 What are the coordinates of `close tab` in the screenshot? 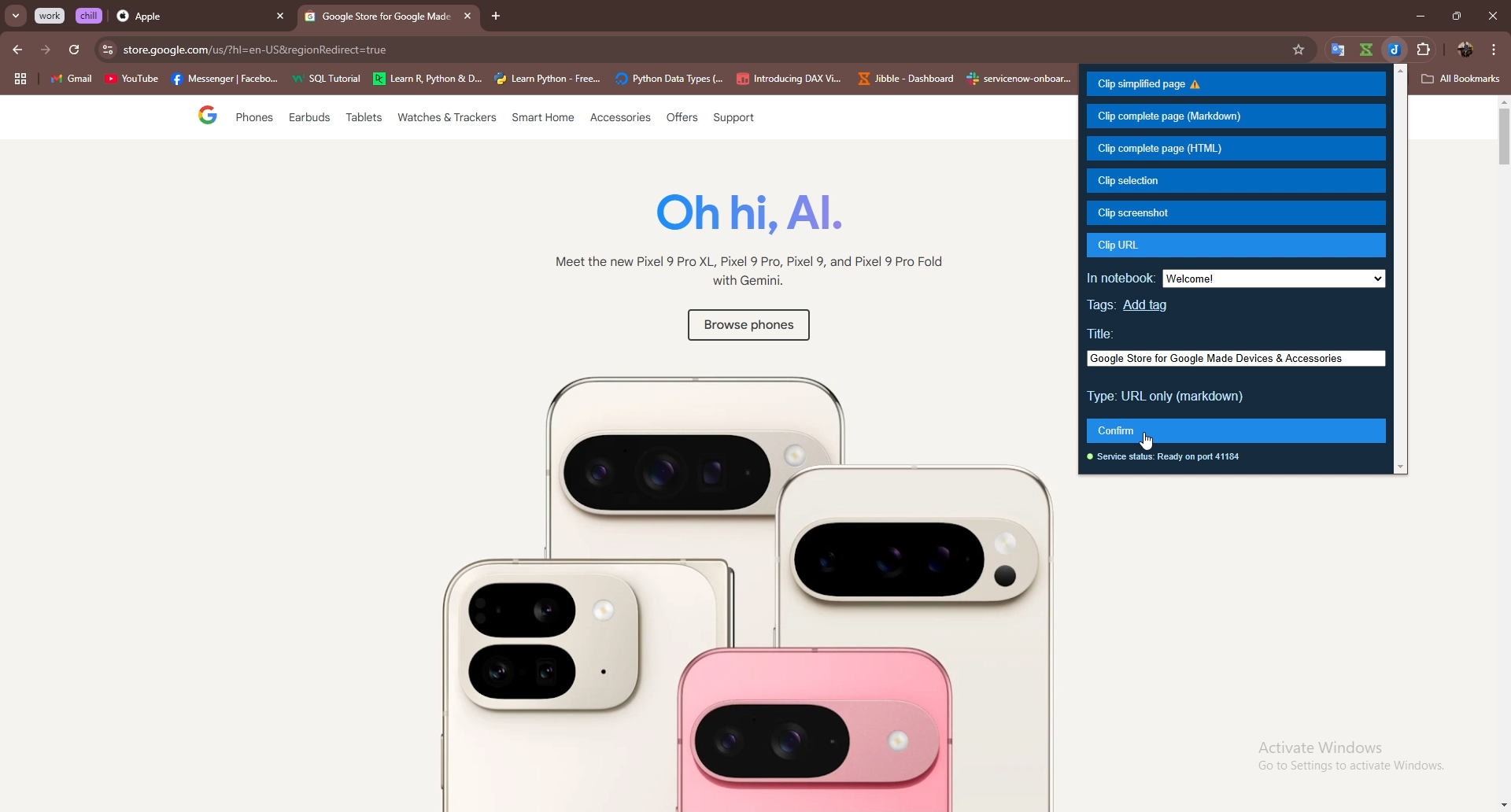 It's located at (280, 17).